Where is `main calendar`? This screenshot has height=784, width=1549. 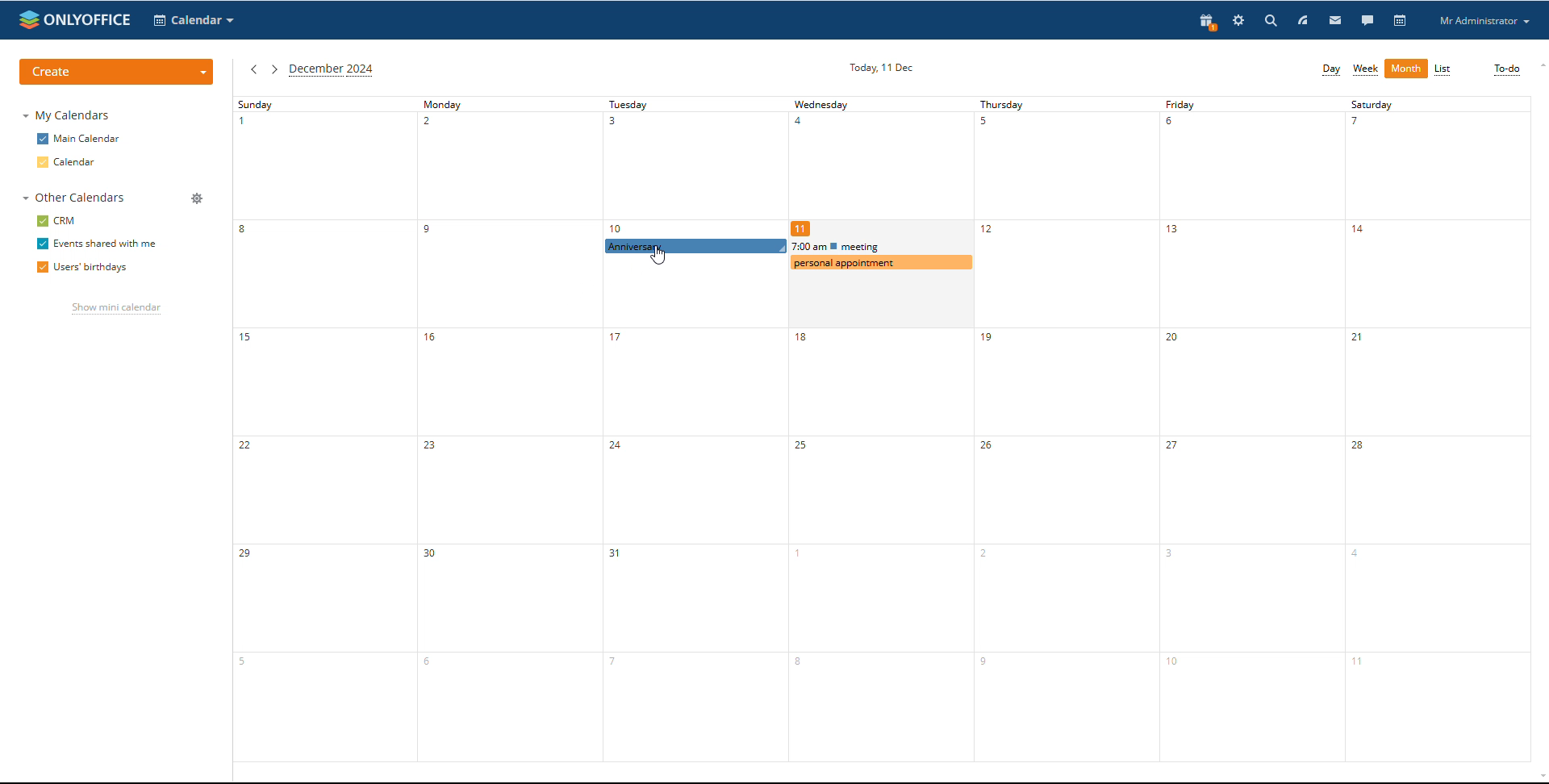 main calendar is located at coordinates (82, 137).